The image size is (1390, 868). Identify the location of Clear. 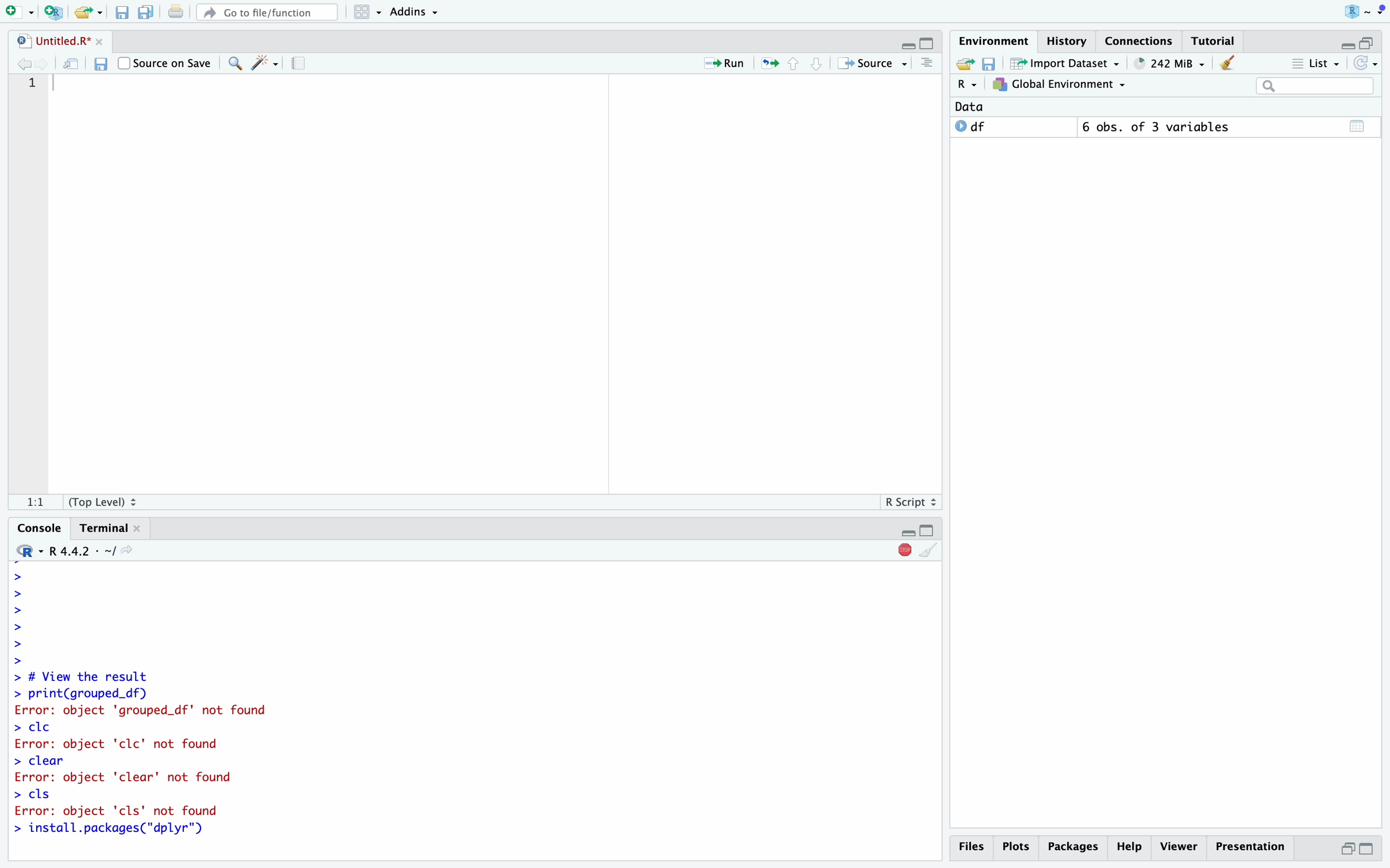
(1229, 64).